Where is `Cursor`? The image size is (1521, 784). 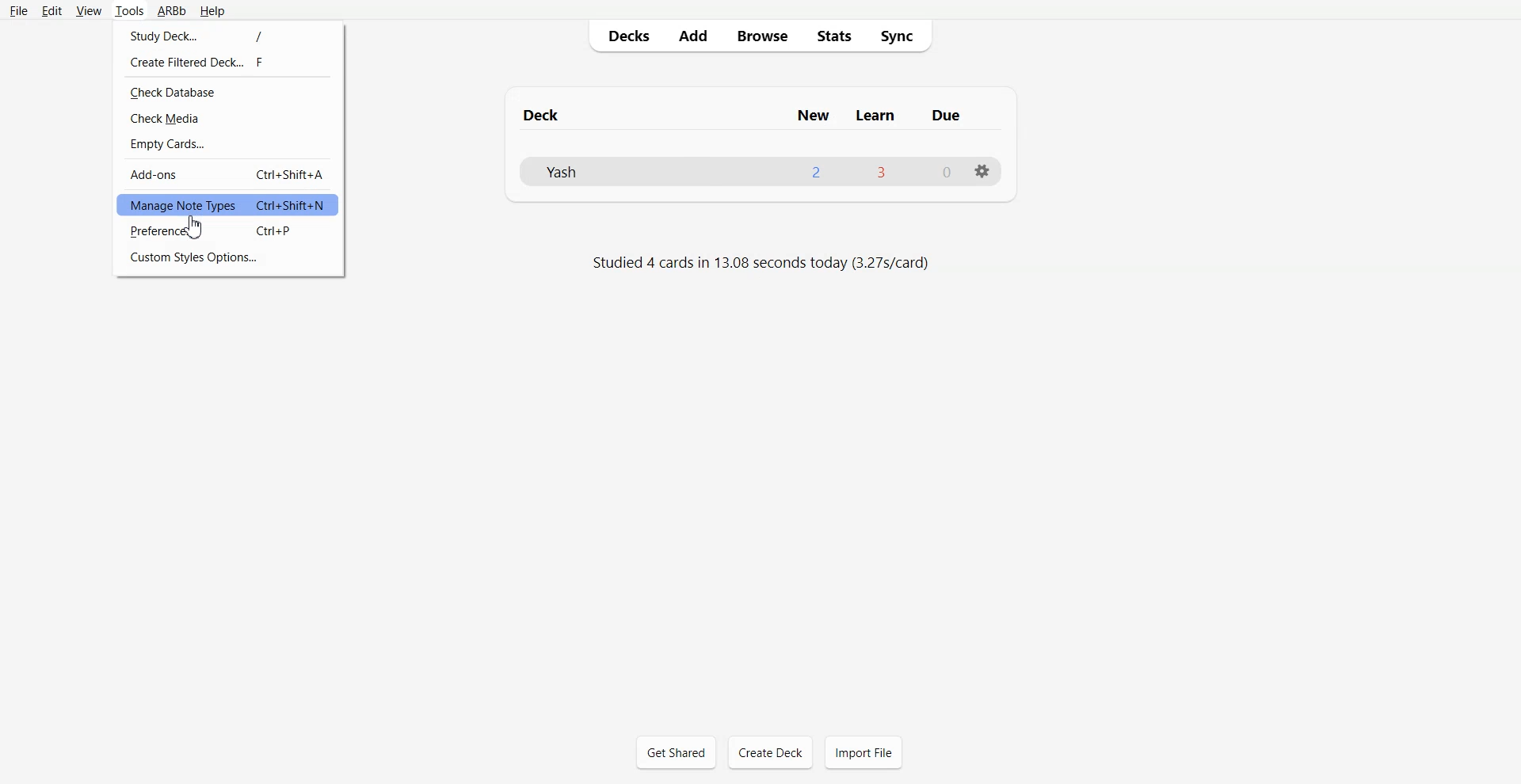
Cursor is located at coordinates (195, 226).